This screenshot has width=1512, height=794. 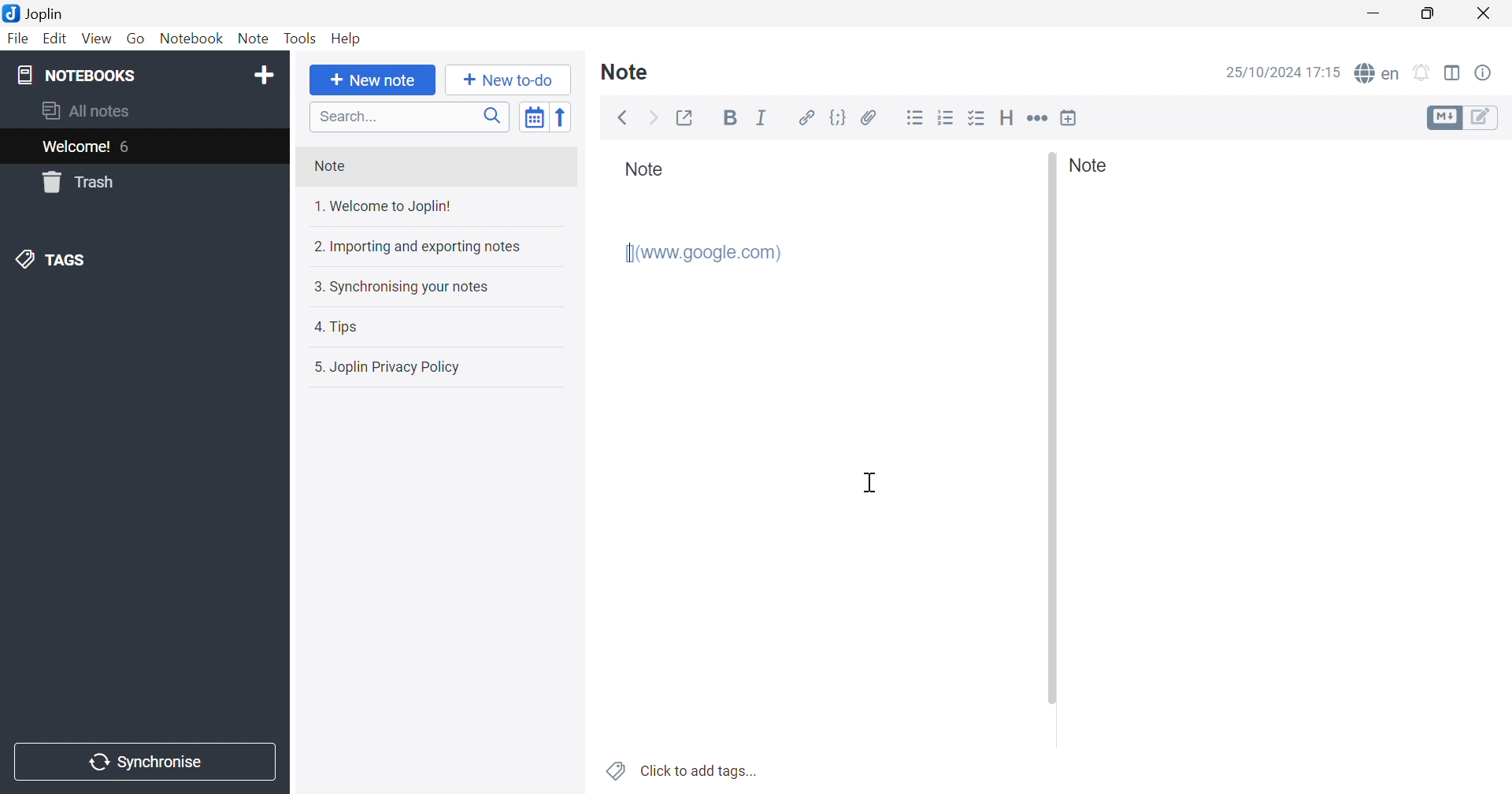 What do you see at coordinates (654, 117) in the screenshot?
I see `Forward` at bounding box center [654, 117].